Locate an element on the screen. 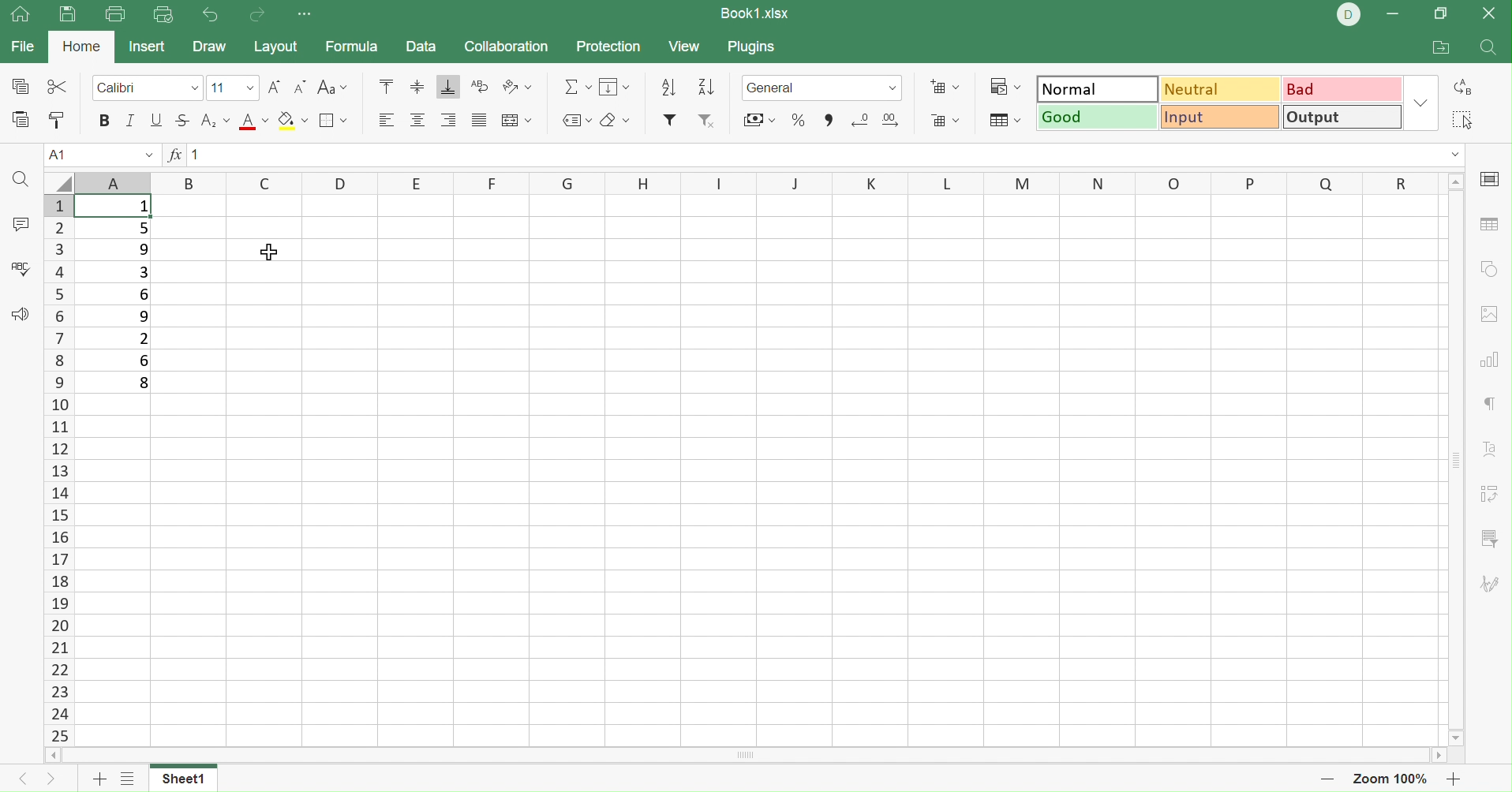  Scroll bar is located at coordinates (747, 756).